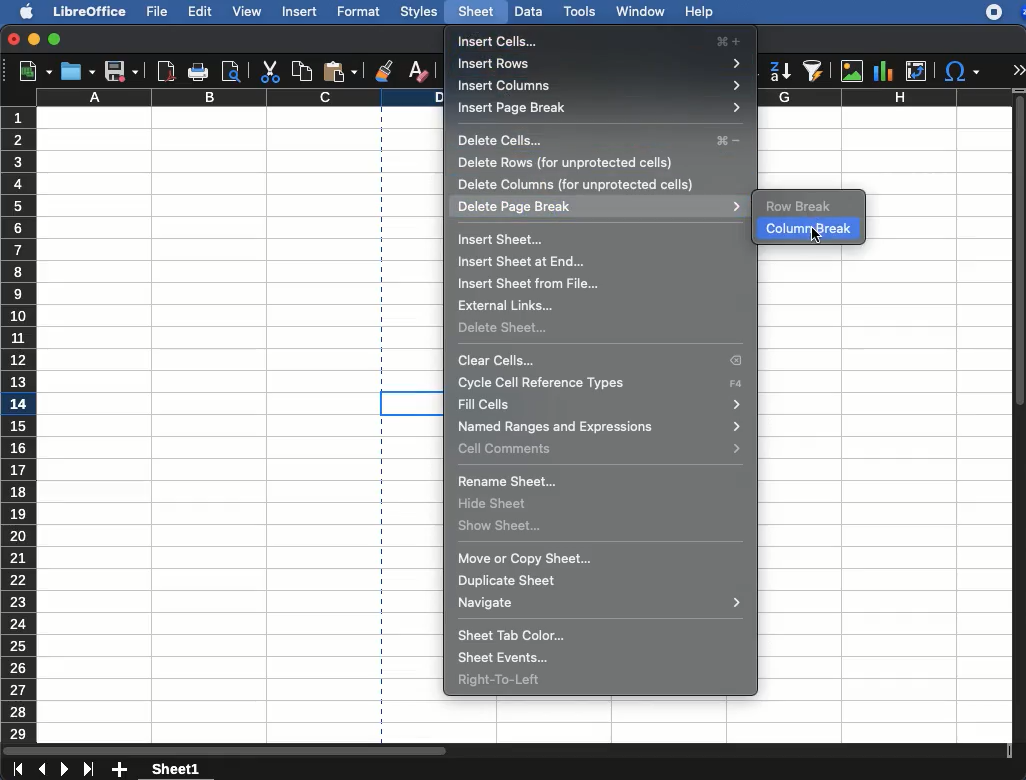  What do you see at coordinates (343, 70) in the screenshot?
I see `paste` at bounding box center [343, 70].